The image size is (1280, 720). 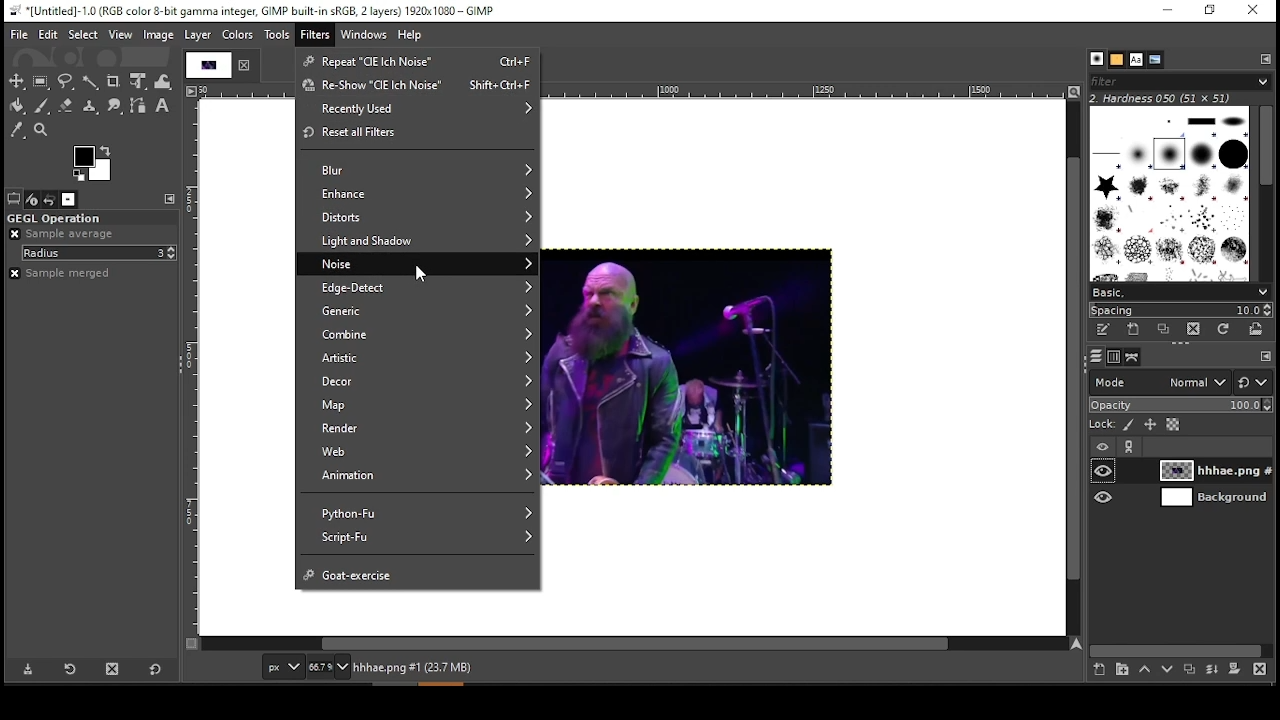 What do you see at coordinates (1264, 356) in the screenshot?
I see `configure this tab` at bounding box center [1264, 356].